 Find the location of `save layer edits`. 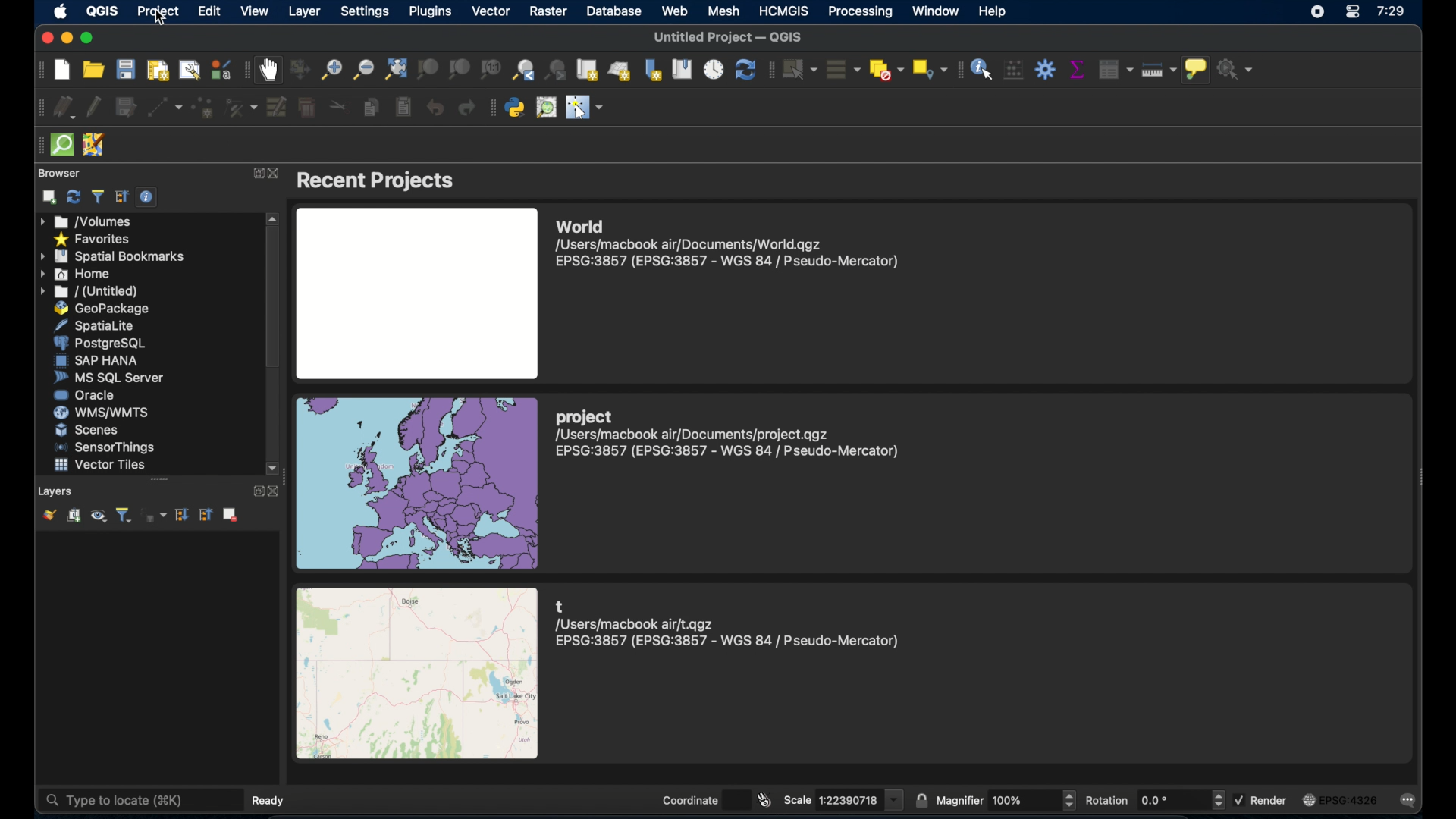

save layer edits is located at coordinates (126, 105).